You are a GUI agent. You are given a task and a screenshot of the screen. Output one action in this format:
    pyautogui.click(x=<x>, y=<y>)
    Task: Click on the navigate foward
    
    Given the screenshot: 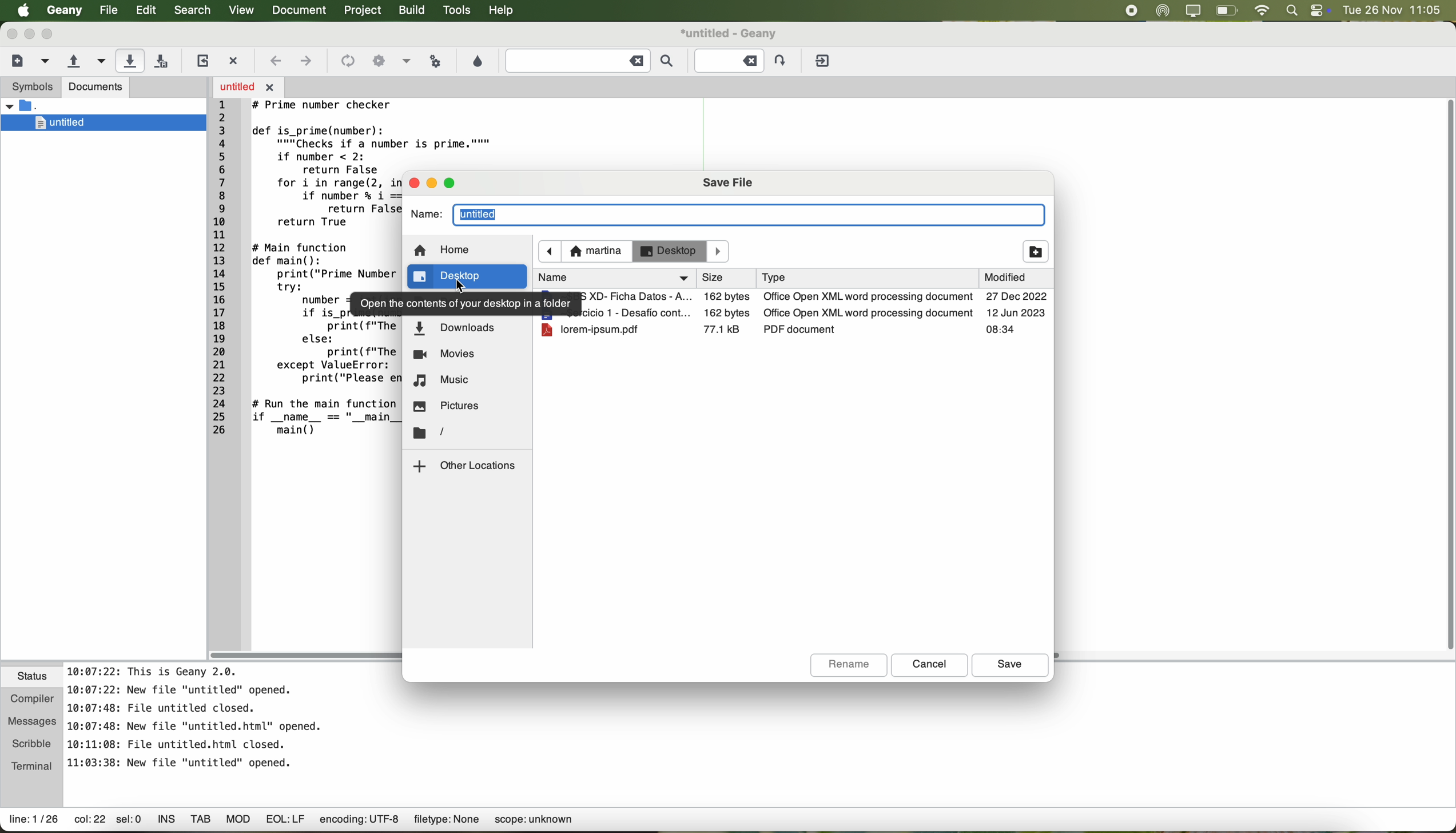 What is the action you would take?
    pyautogui.click(x=602, y=252)
    